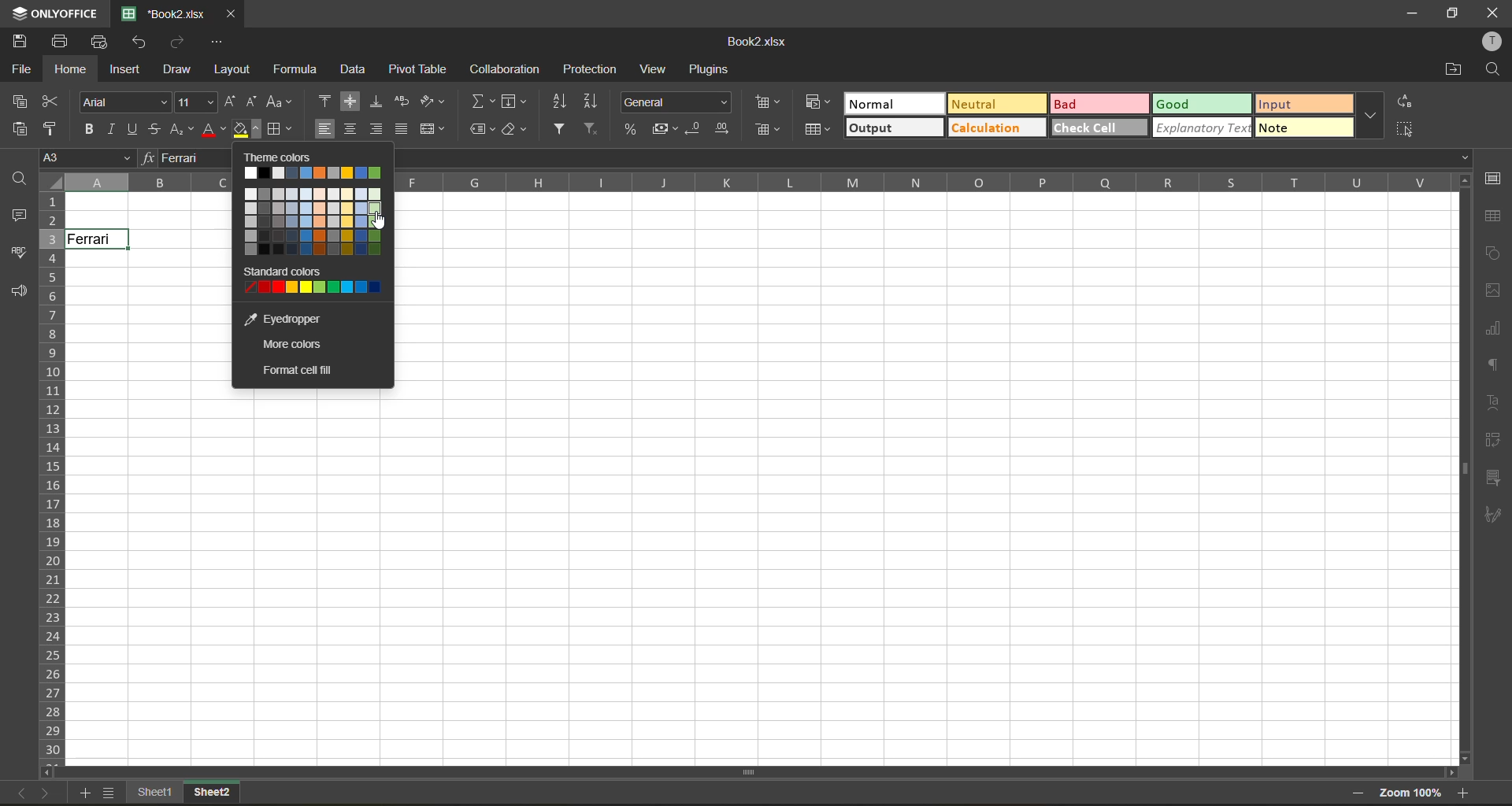 This screenshot has width=1512, height=806. What do you see at coordinates (725, 130) in the screenshot?
I see `increase decimal` at bounding box center [725, 130].